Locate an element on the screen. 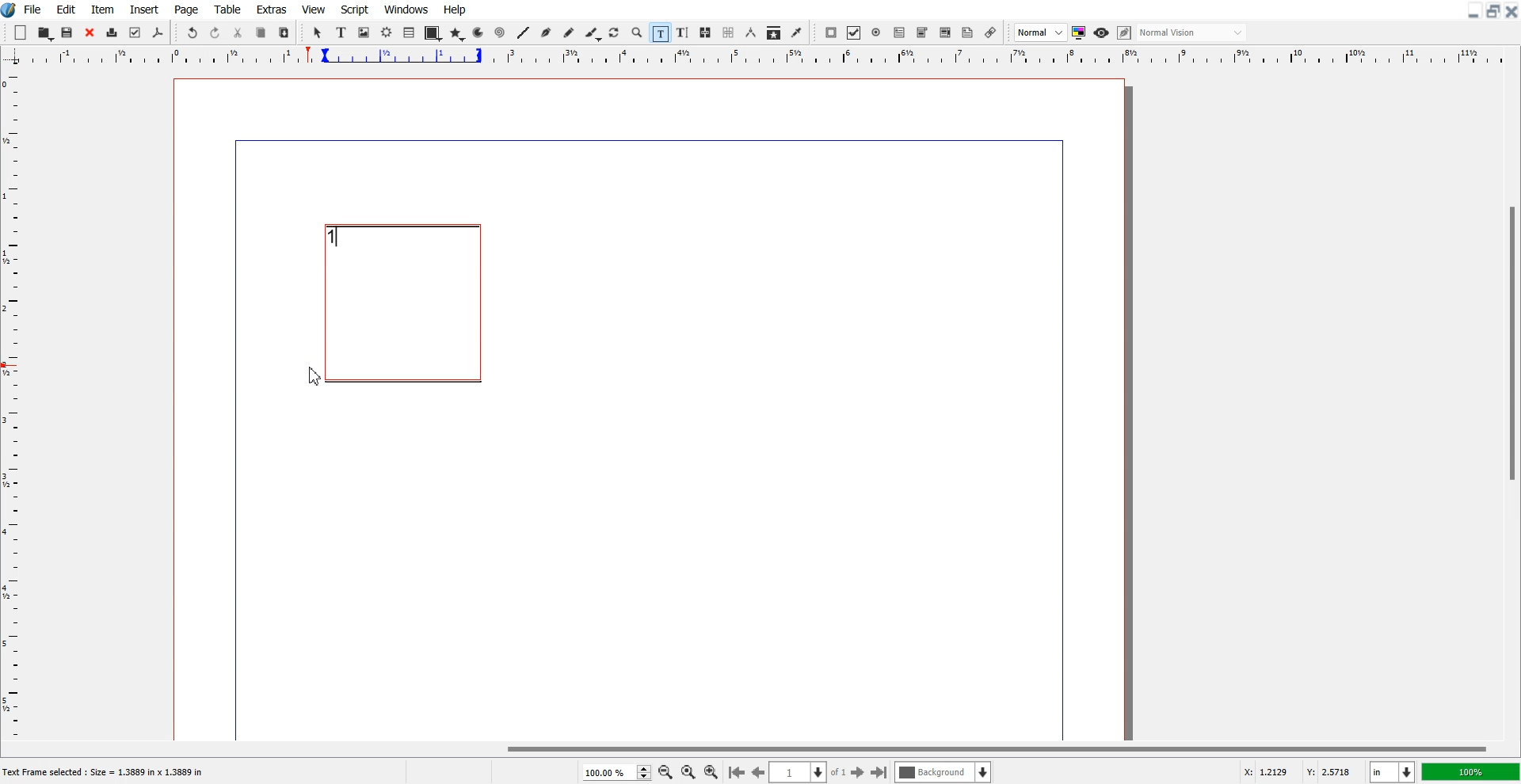 The width and height of the screenshot is (1521, 784). Text Frame is located at coordinates (342, 32).